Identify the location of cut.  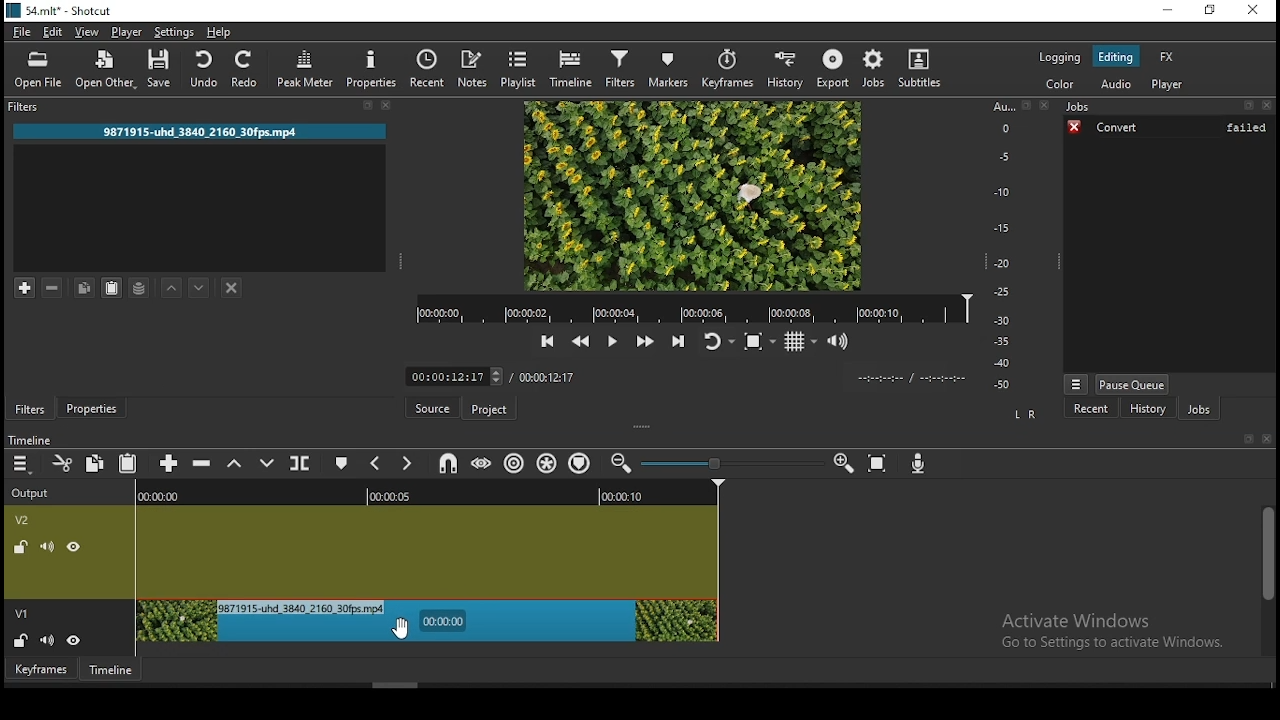
(63, 463).